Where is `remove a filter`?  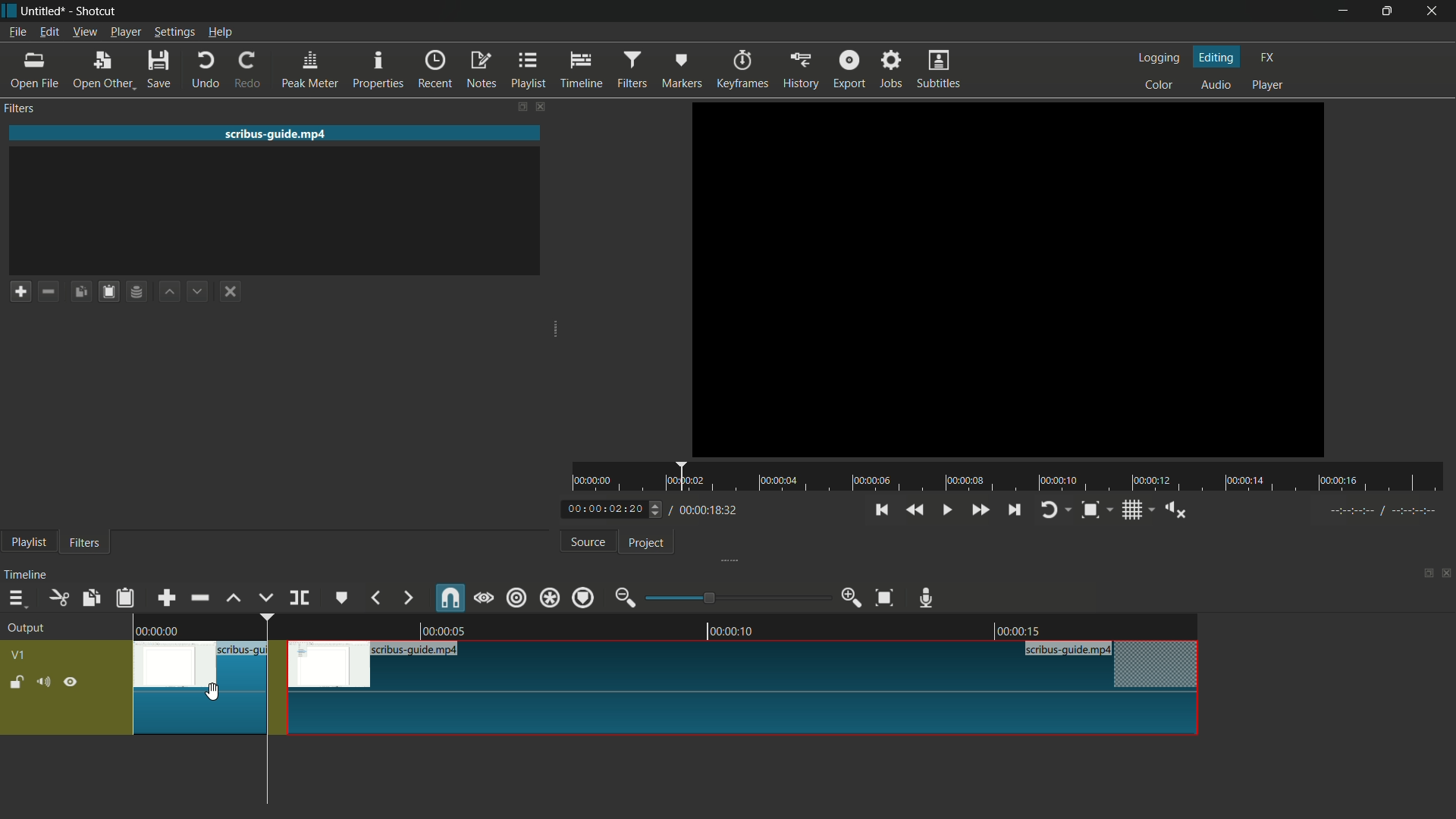 remove a filter is located at coordinates (49, 291).